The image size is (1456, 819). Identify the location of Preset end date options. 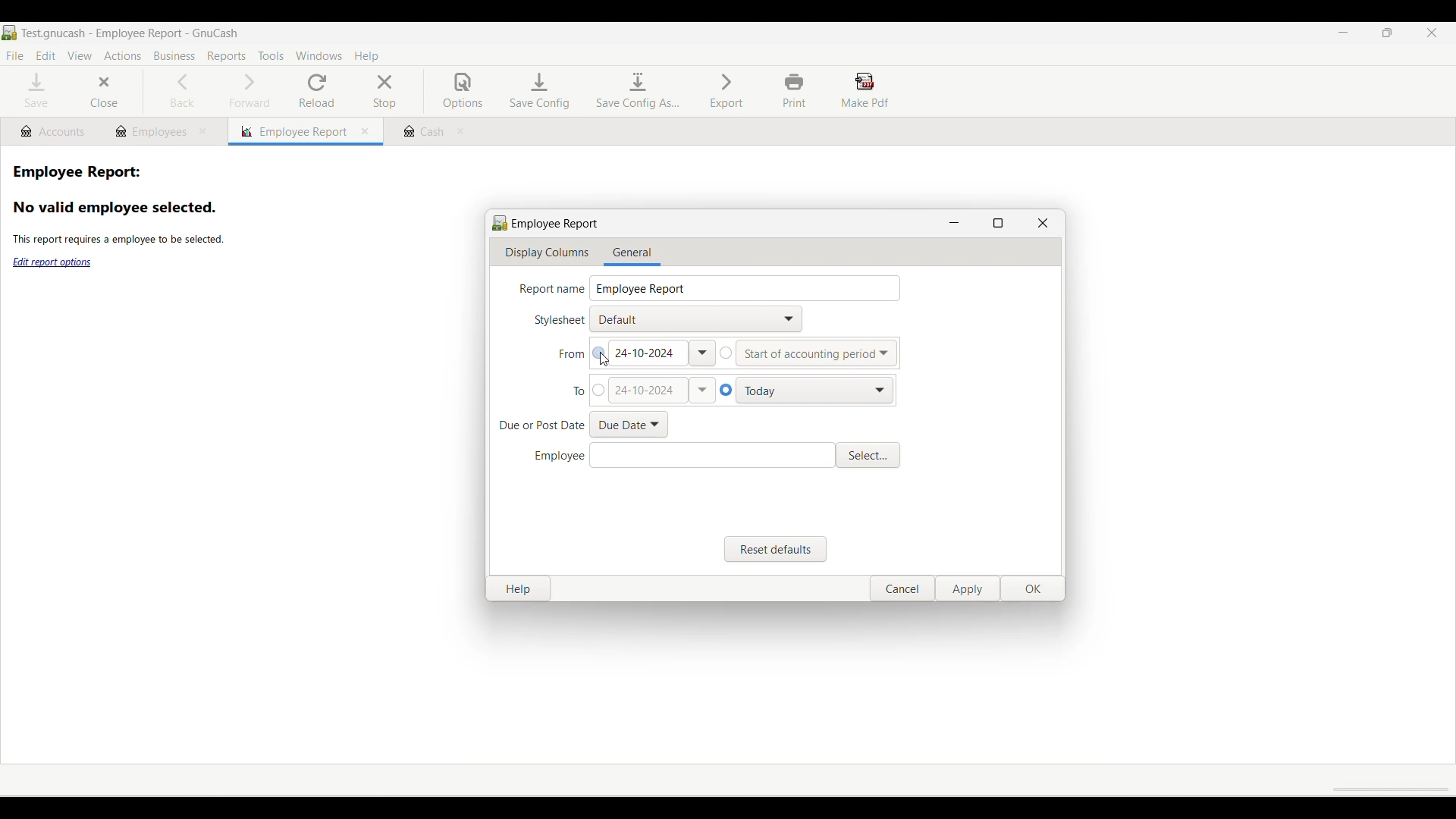
(815, 391).